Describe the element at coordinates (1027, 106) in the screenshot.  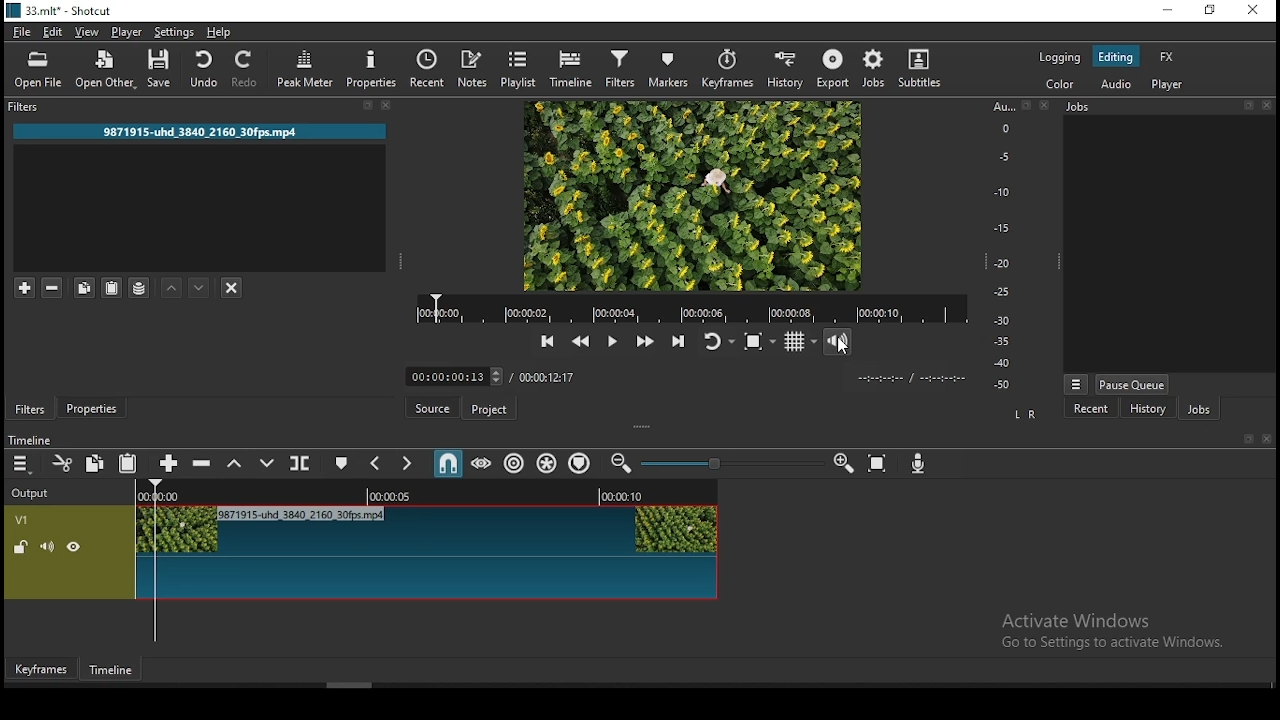
I see `bookmark` at that location.